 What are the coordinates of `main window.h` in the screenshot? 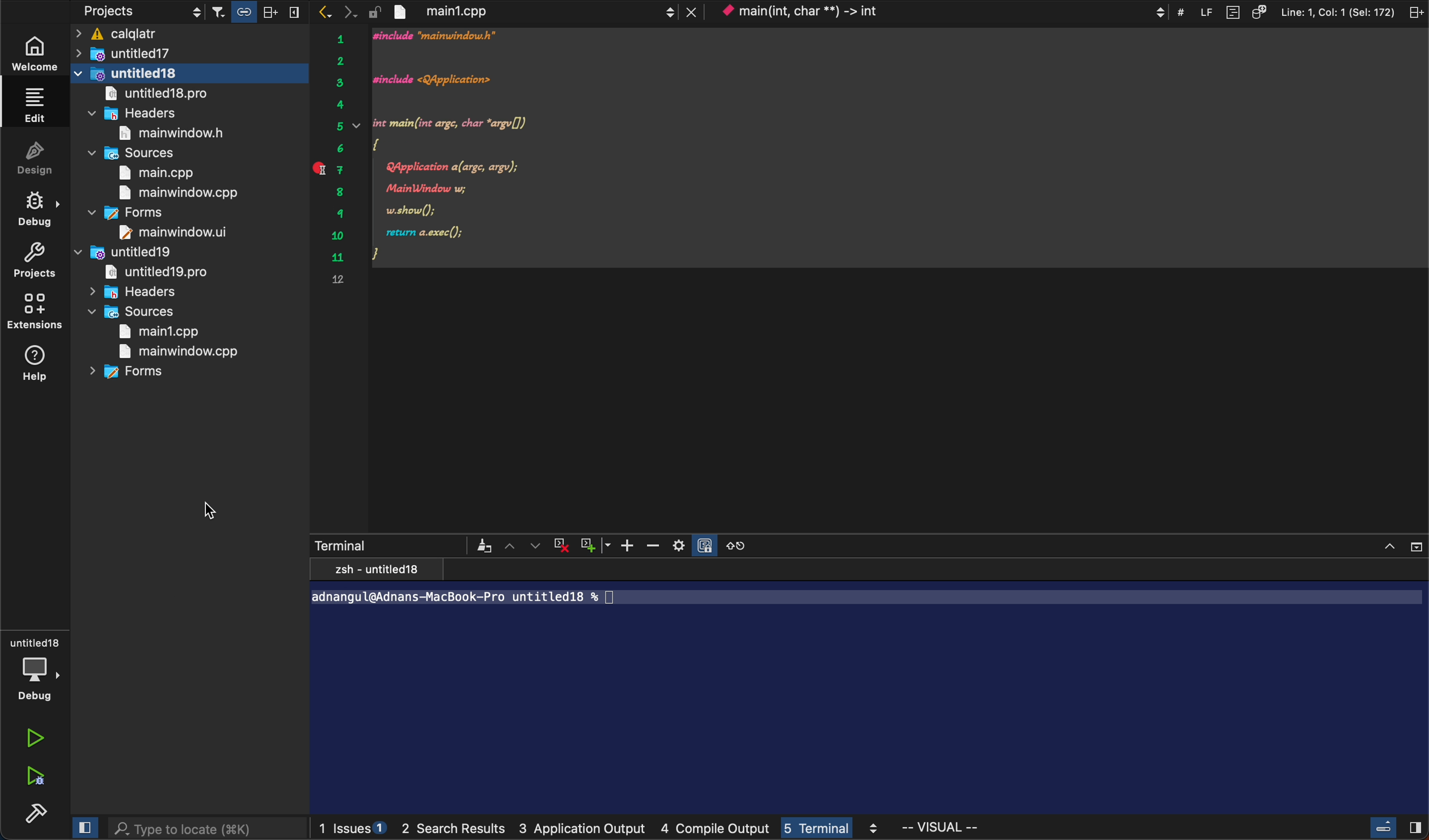 It's located at (164, 133).